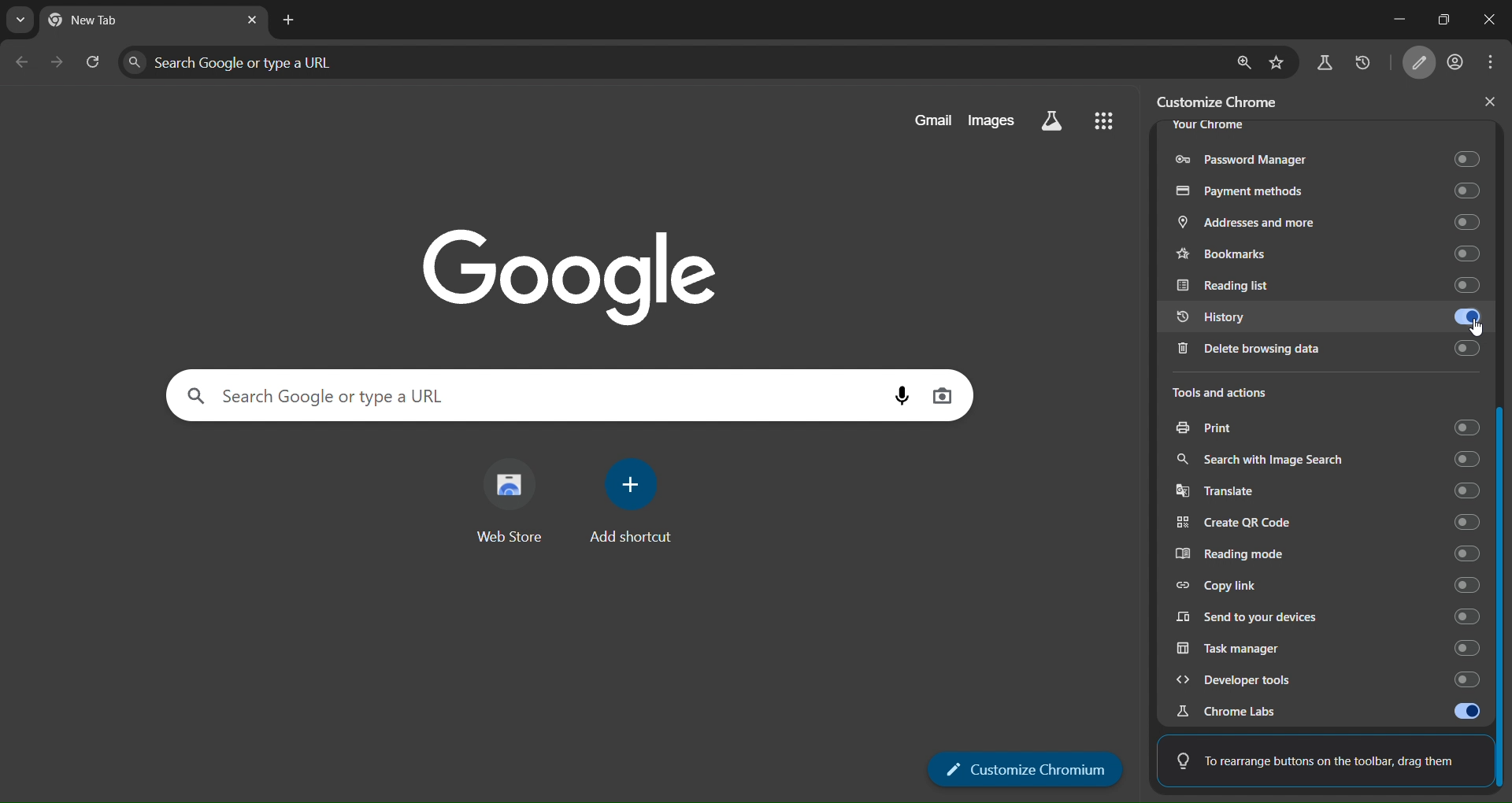 The width and height of the screenshot is (1512, 803). What do you see at coordinates (991, 120) in the screenshot?
I see `images` at bounding box center [991, 120].